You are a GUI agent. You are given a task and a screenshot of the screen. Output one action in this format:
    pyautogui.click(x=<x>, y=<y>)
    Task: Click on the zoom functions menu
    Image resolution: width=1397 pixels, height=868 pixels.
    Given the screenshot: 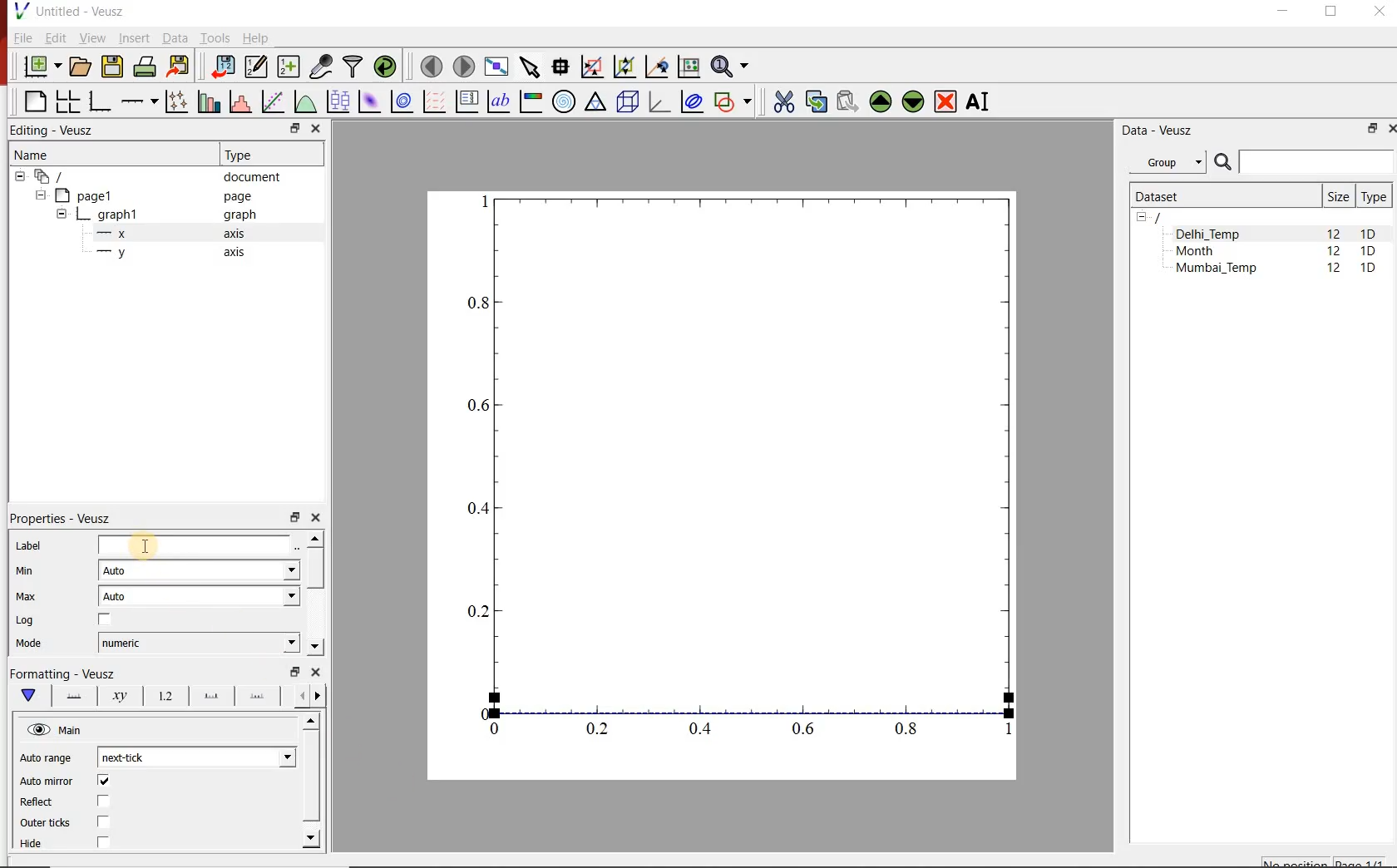 What is the action you would take?
    pyautogui.click(x=732, y=67)
    